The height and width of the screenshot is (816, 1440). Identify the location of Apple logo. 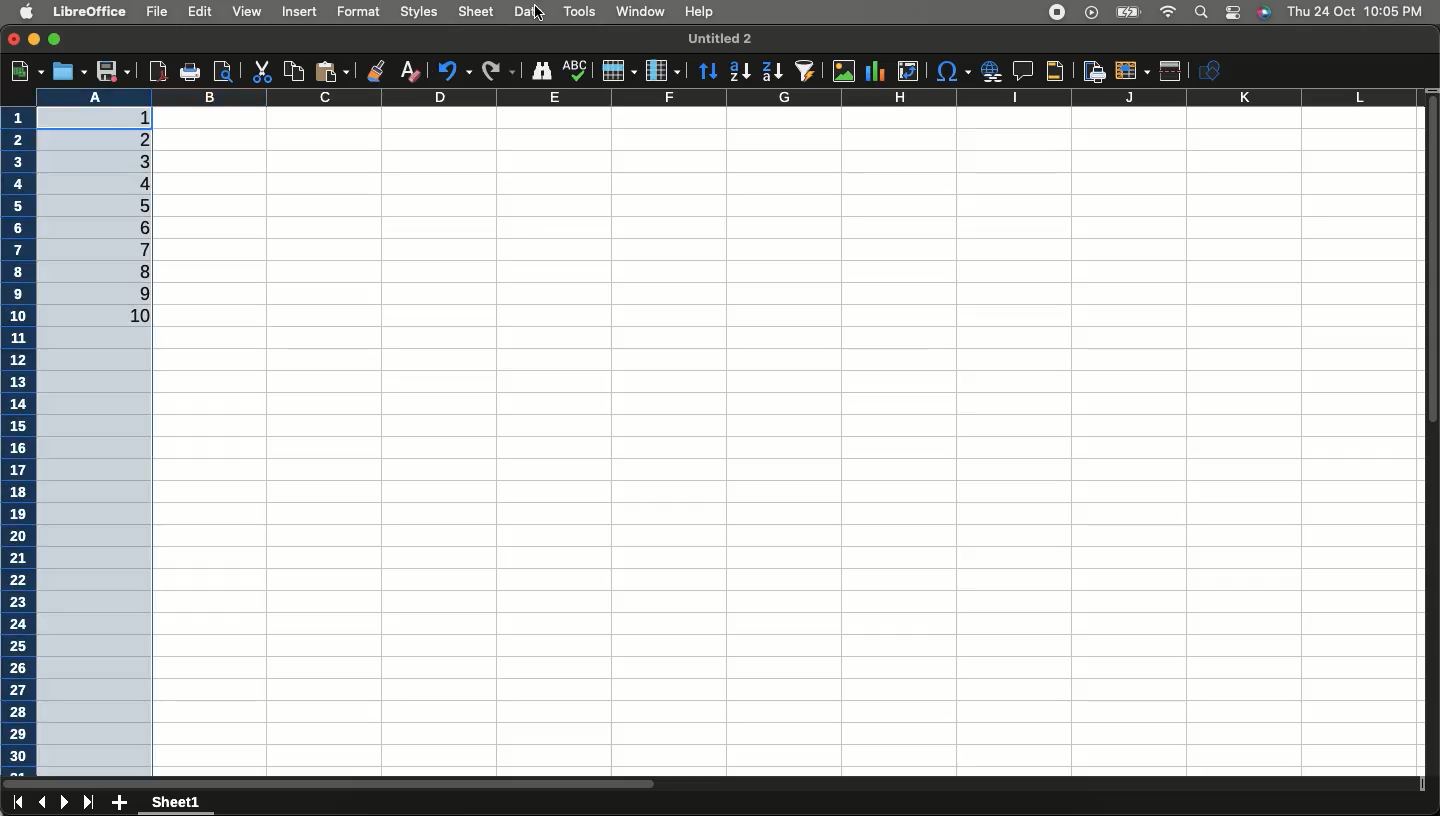
(27, 12).